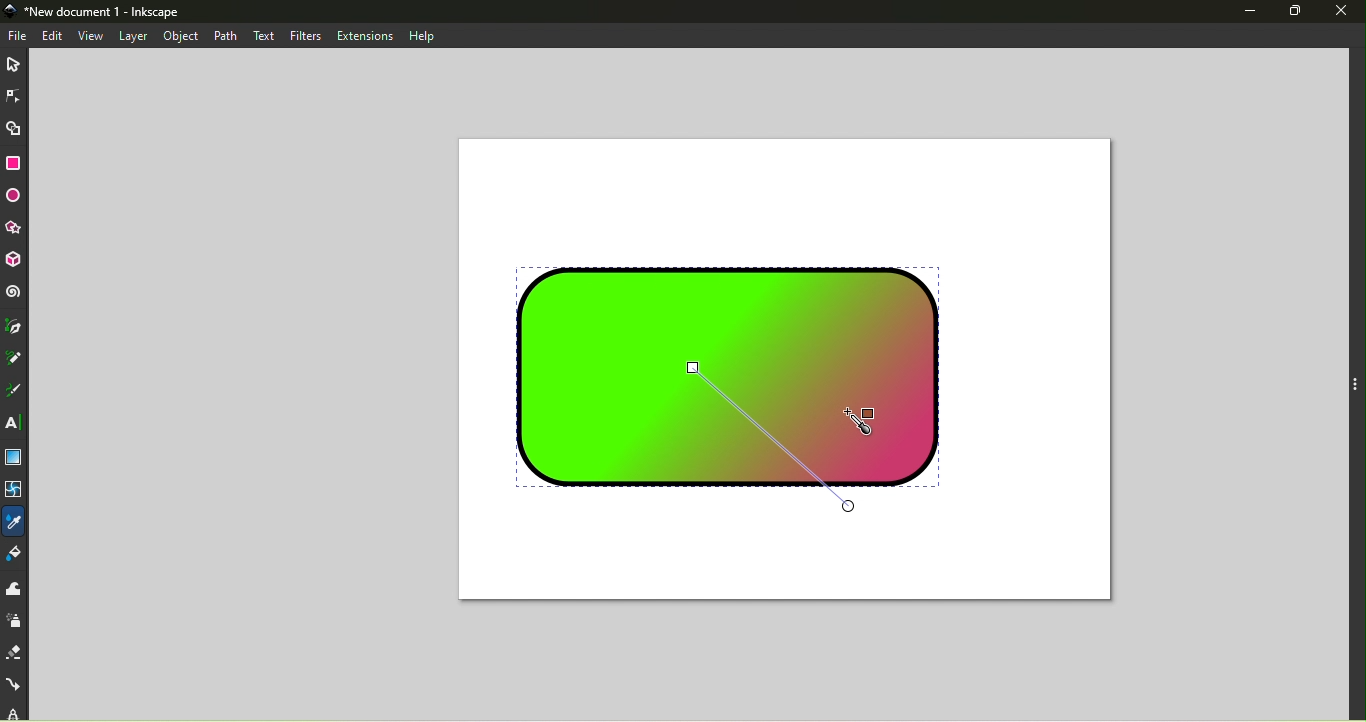 This screenshot has width=1366, height=722. I want to click on Extensions, so click(365, 36).